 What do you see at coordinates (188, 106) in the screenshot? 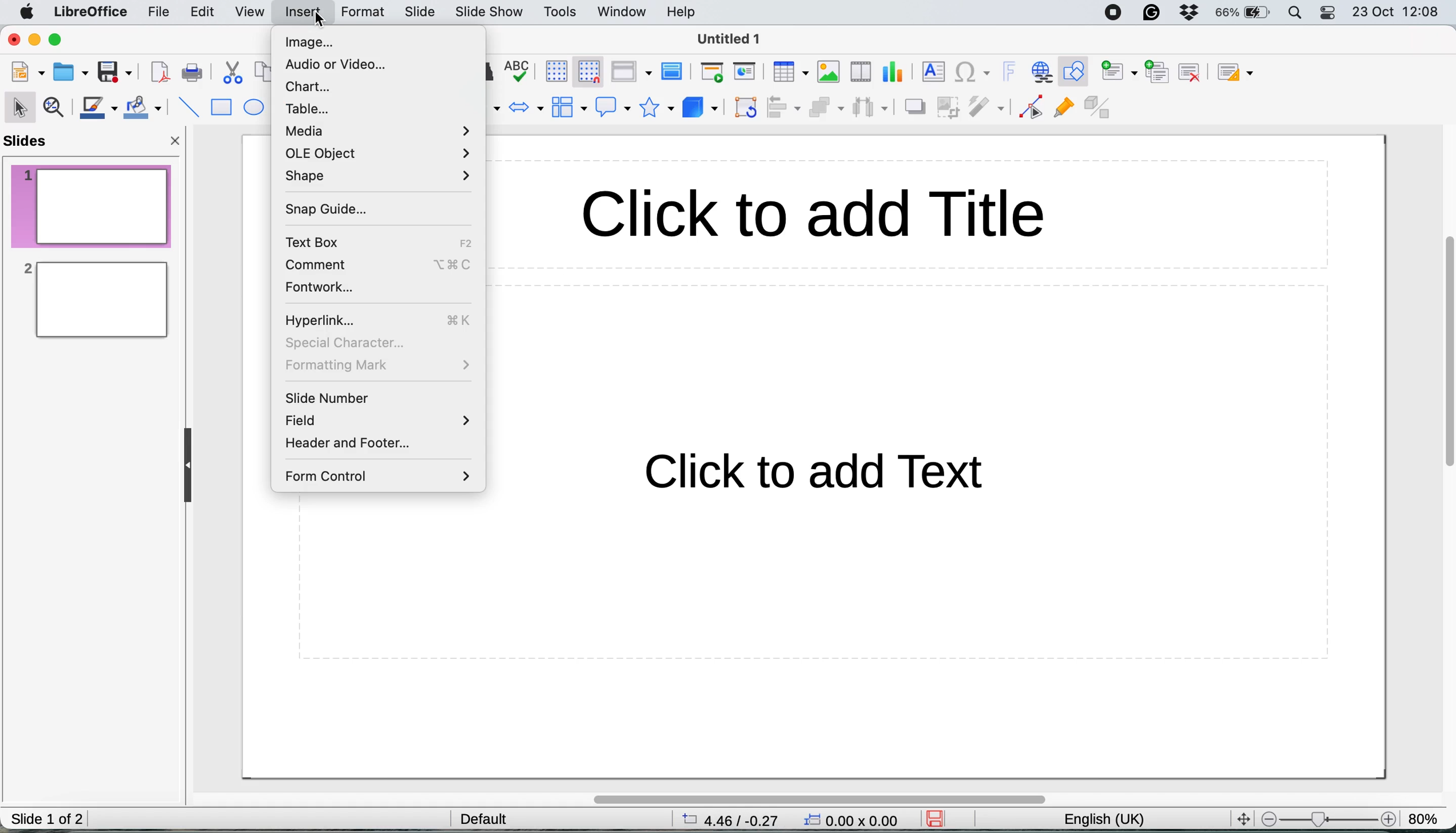
I see `insert line` at bounding box center [188, 106].